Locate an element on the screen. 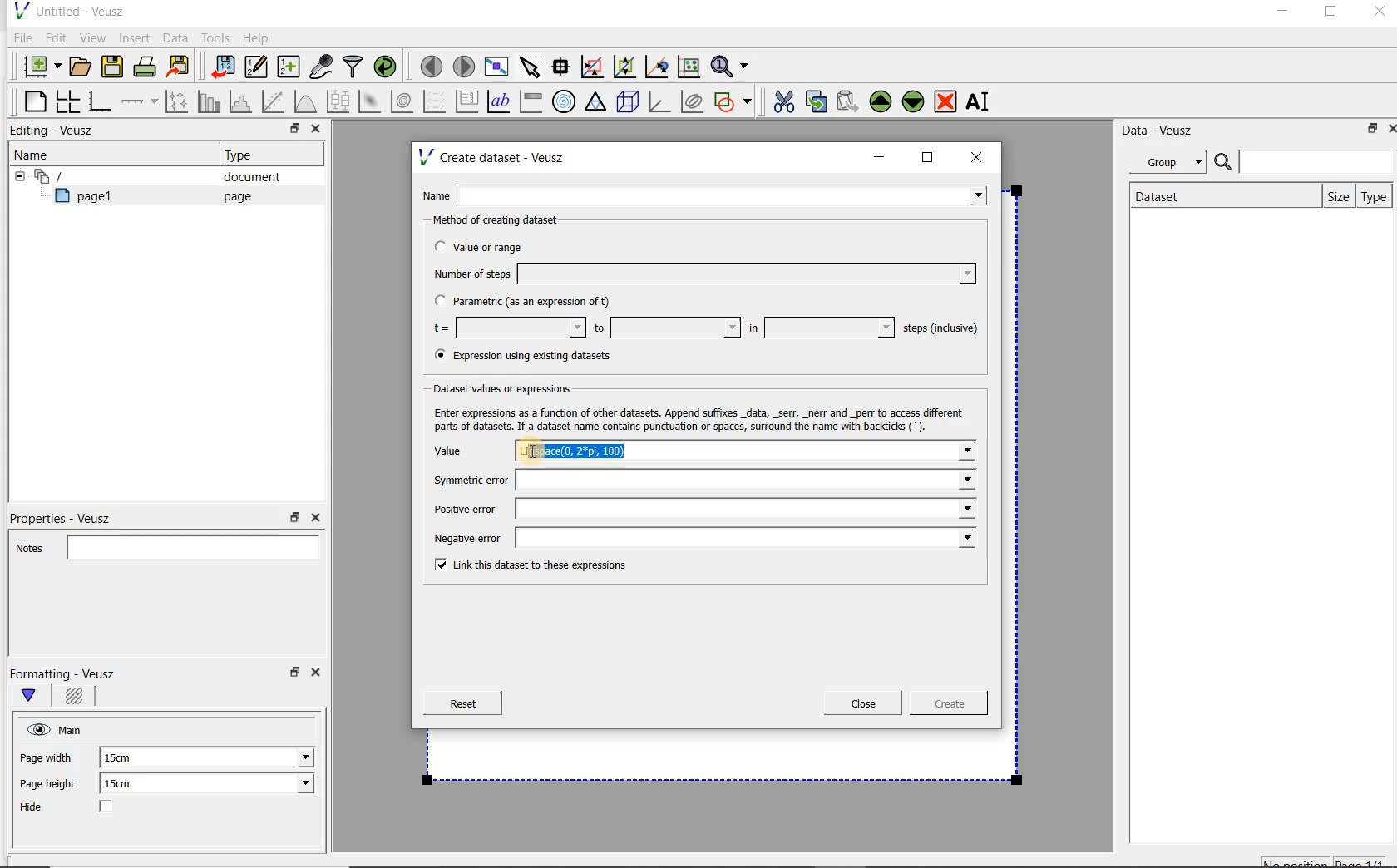 This screenshot has height=868, width=1397. Editing - Veusz is located at coordinates (56, 131).